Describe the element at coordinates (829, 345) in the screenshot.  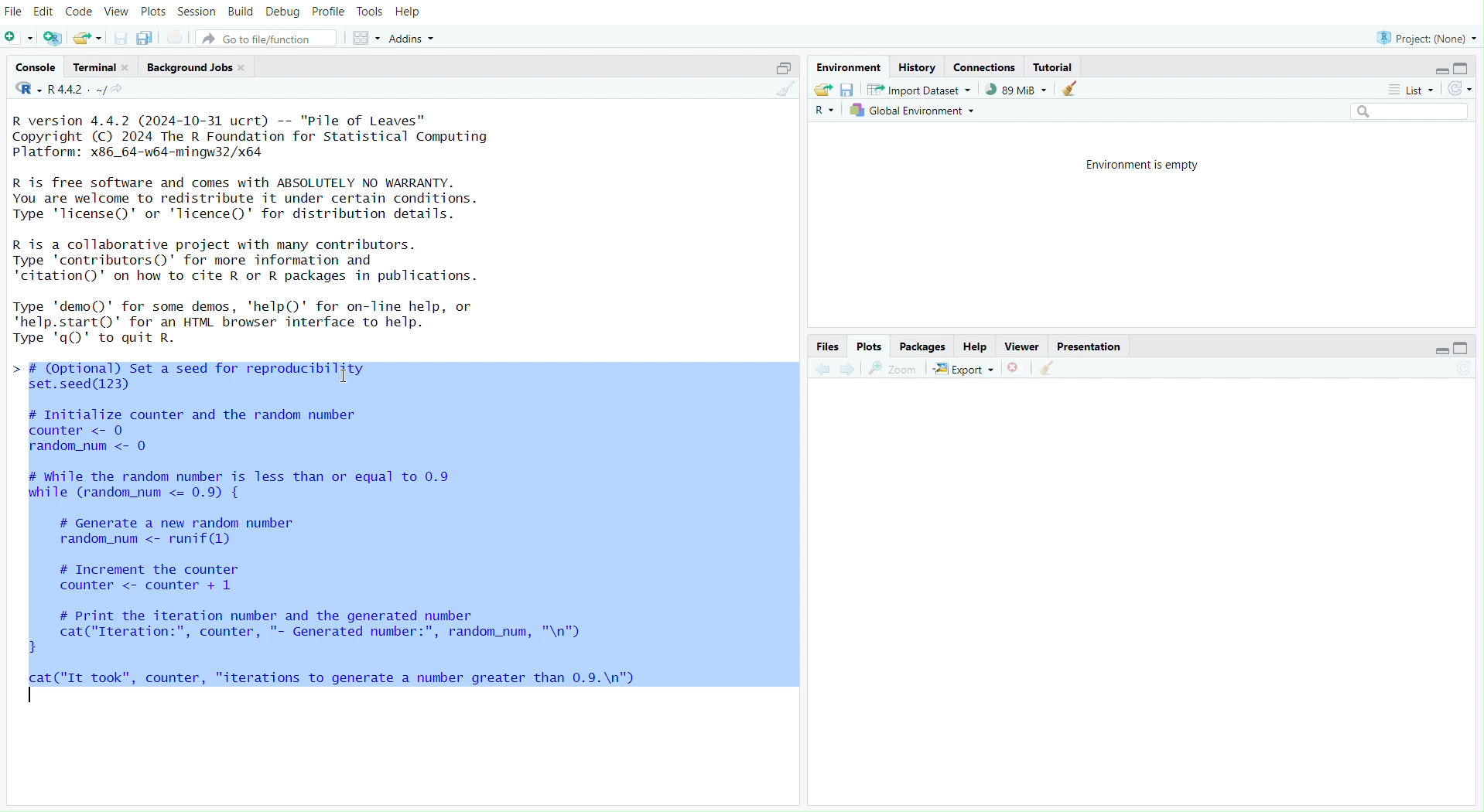
I see `Files` at that location.